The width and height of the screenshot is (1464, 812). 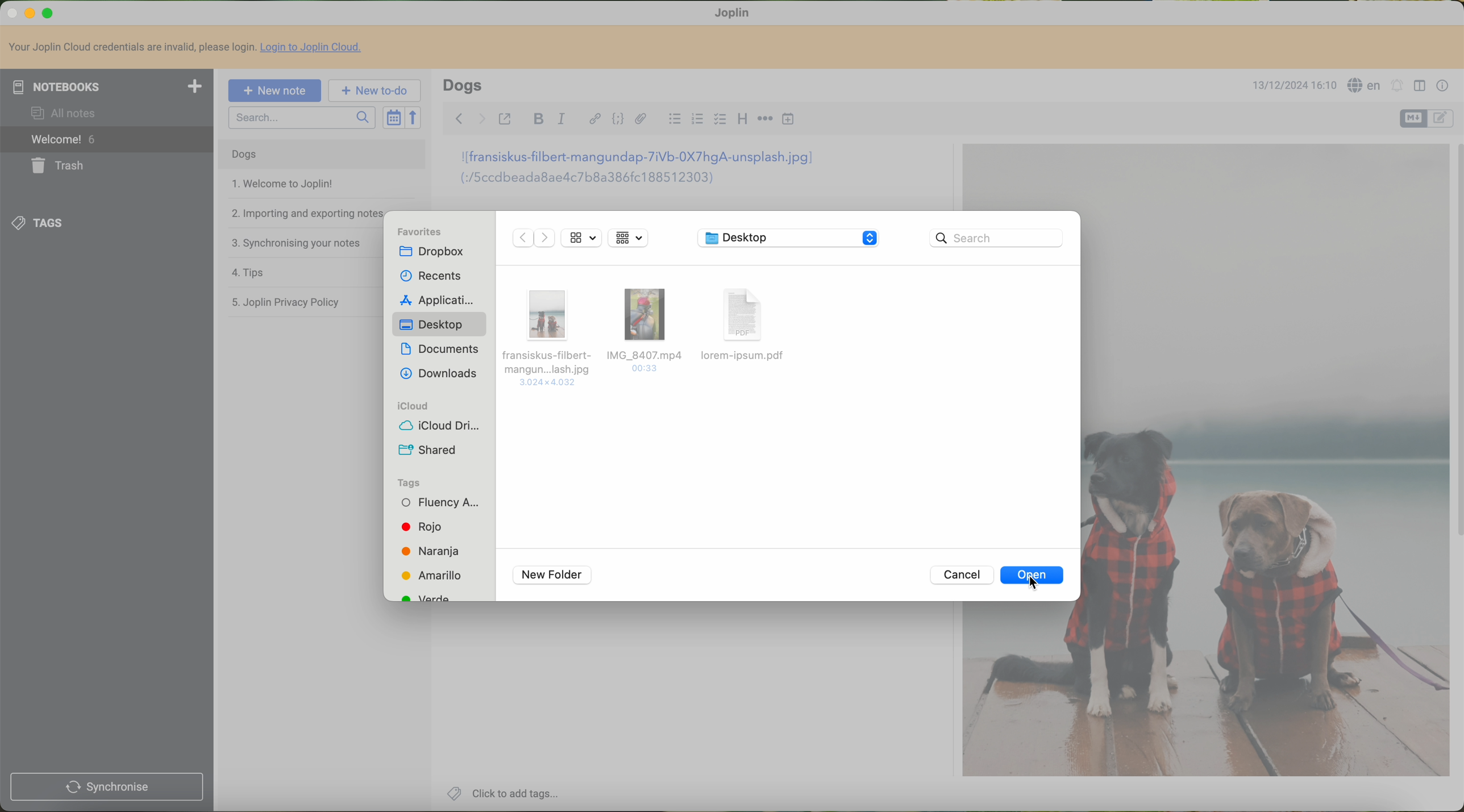 I want to click on horizontal rule, so click(x=764, y=121).